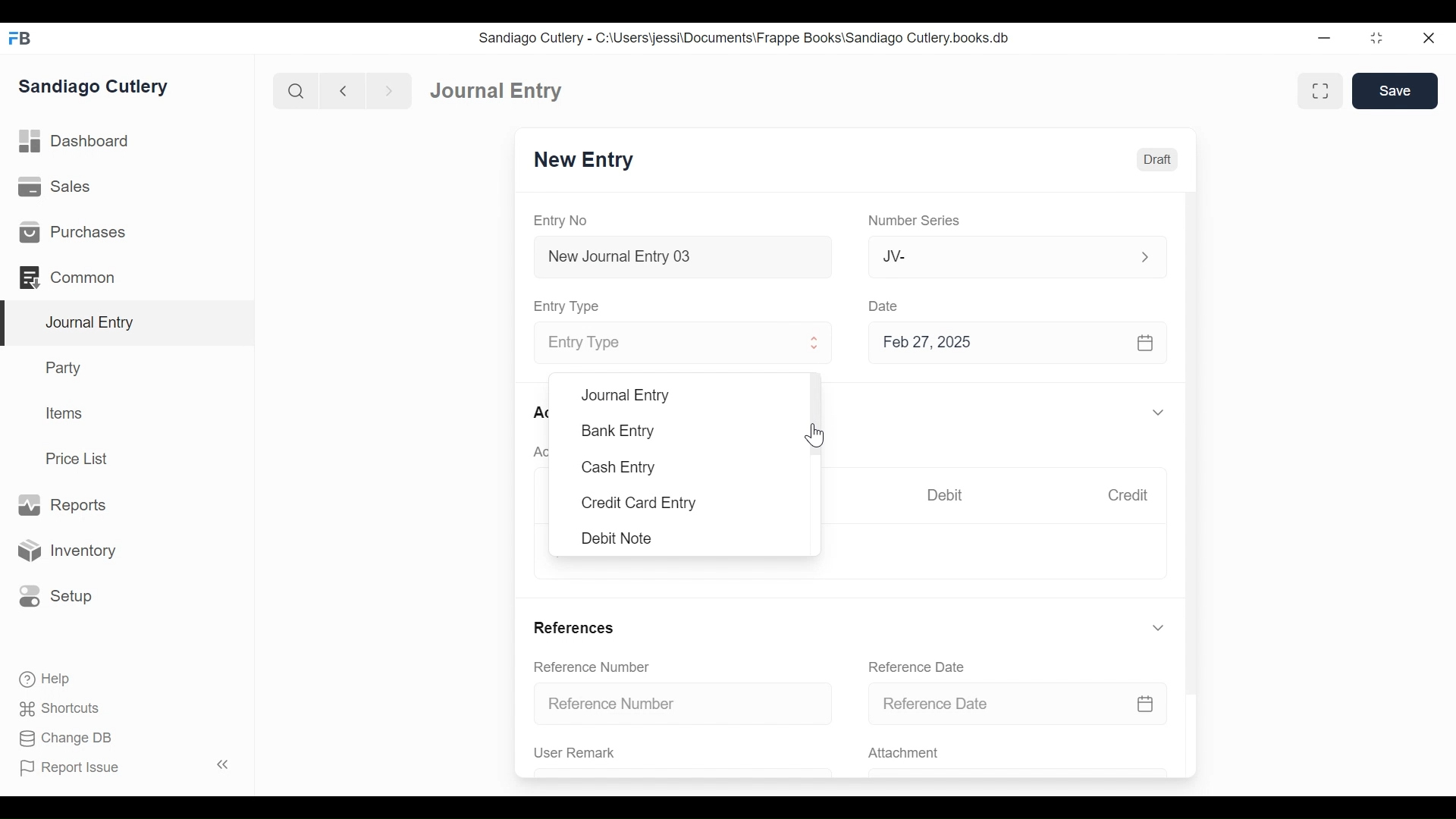  What do you see at coordinates (388, 91) in the screenshot?
I see `Navigate forward` at bounding box center [388, 91].